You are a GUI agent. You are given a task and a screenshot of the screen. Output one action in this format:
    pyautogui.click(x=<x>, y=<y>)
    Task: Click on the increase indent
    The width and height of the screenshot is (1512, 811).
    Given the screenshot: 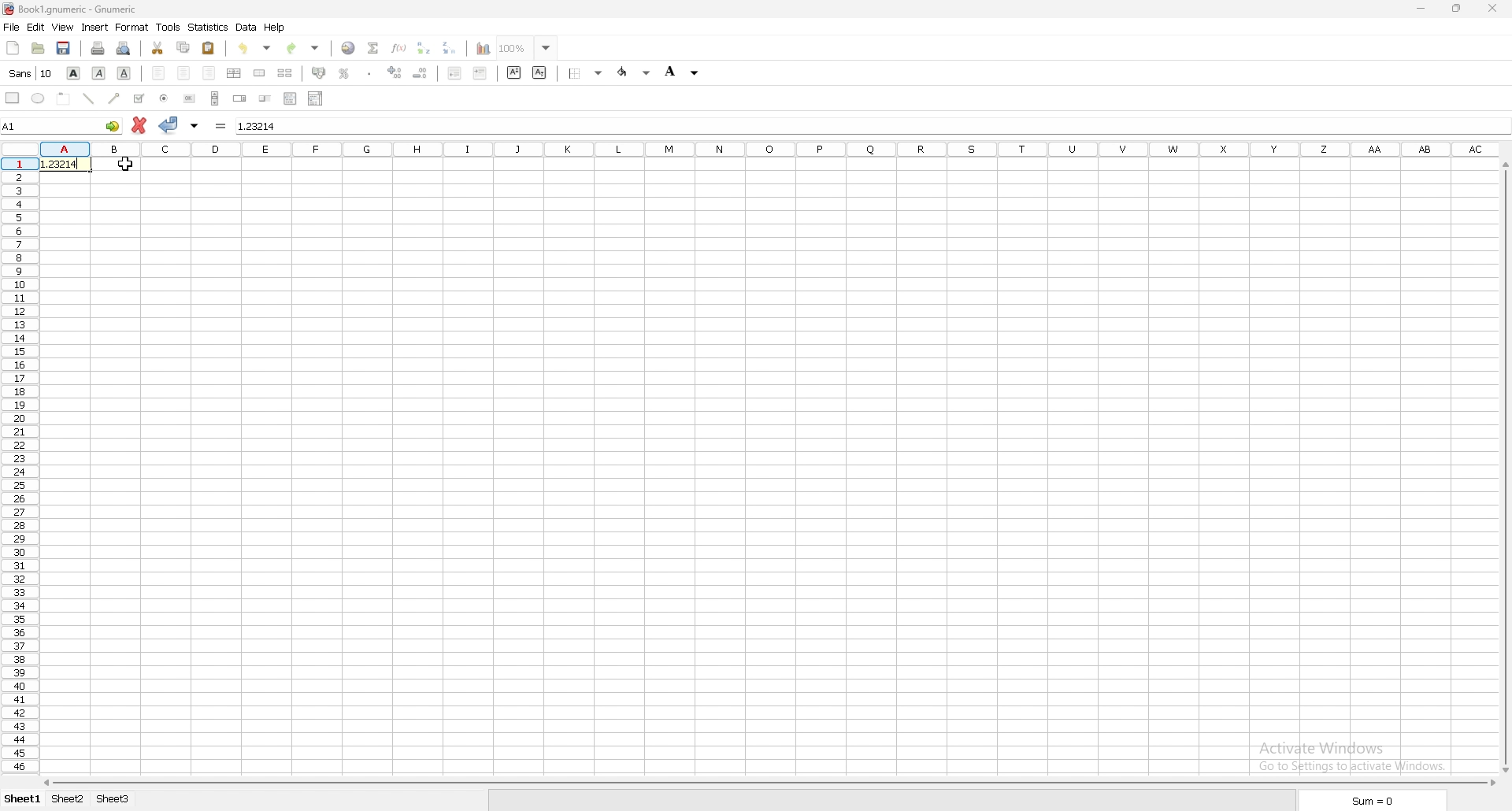 What is the action you would take?
    pyautogui.click(x=480, y=74)
    